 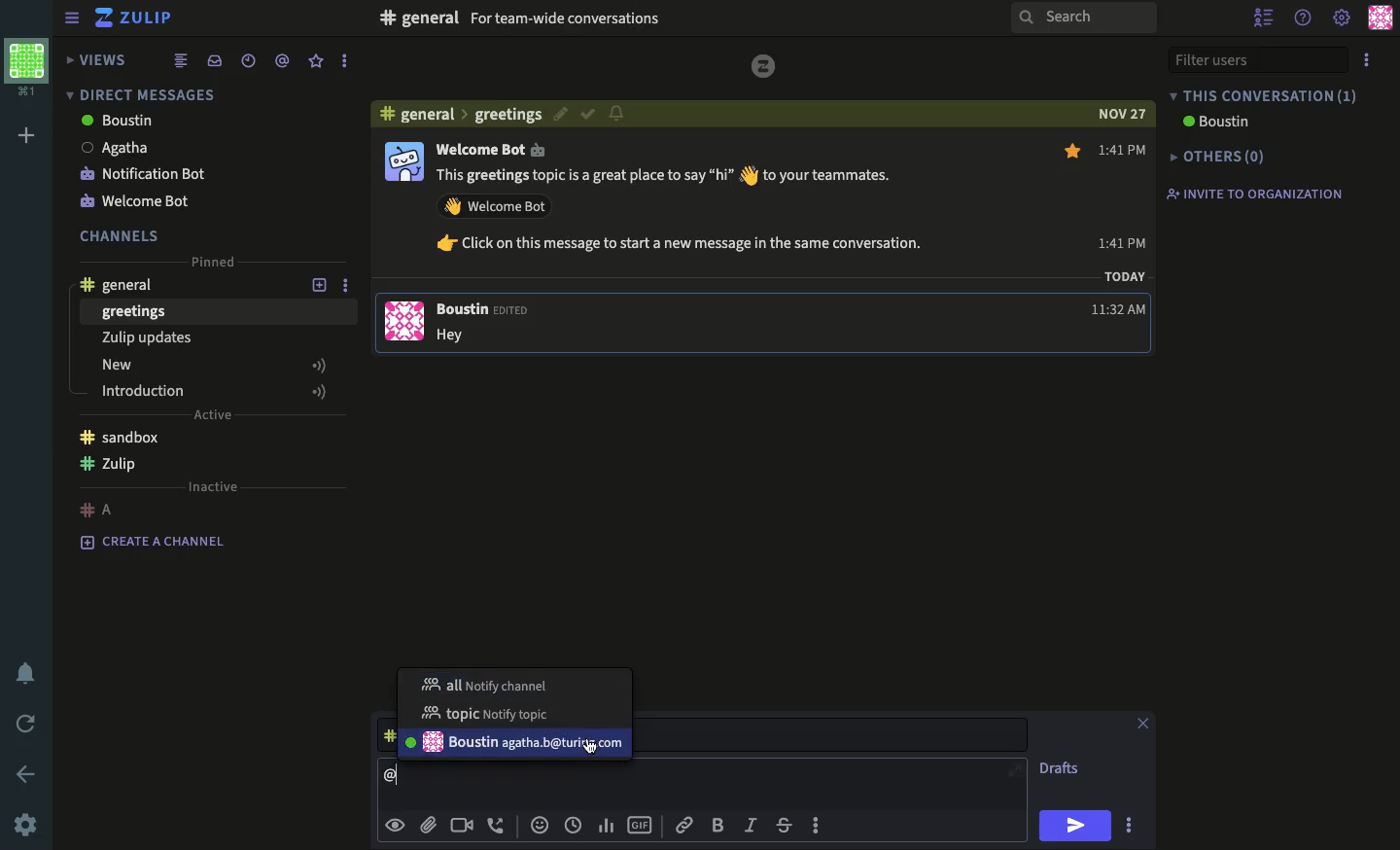 What do you see at coordinates (1369, 59) in the screenshot?
I see `options` at bounding box center [1369, 59].